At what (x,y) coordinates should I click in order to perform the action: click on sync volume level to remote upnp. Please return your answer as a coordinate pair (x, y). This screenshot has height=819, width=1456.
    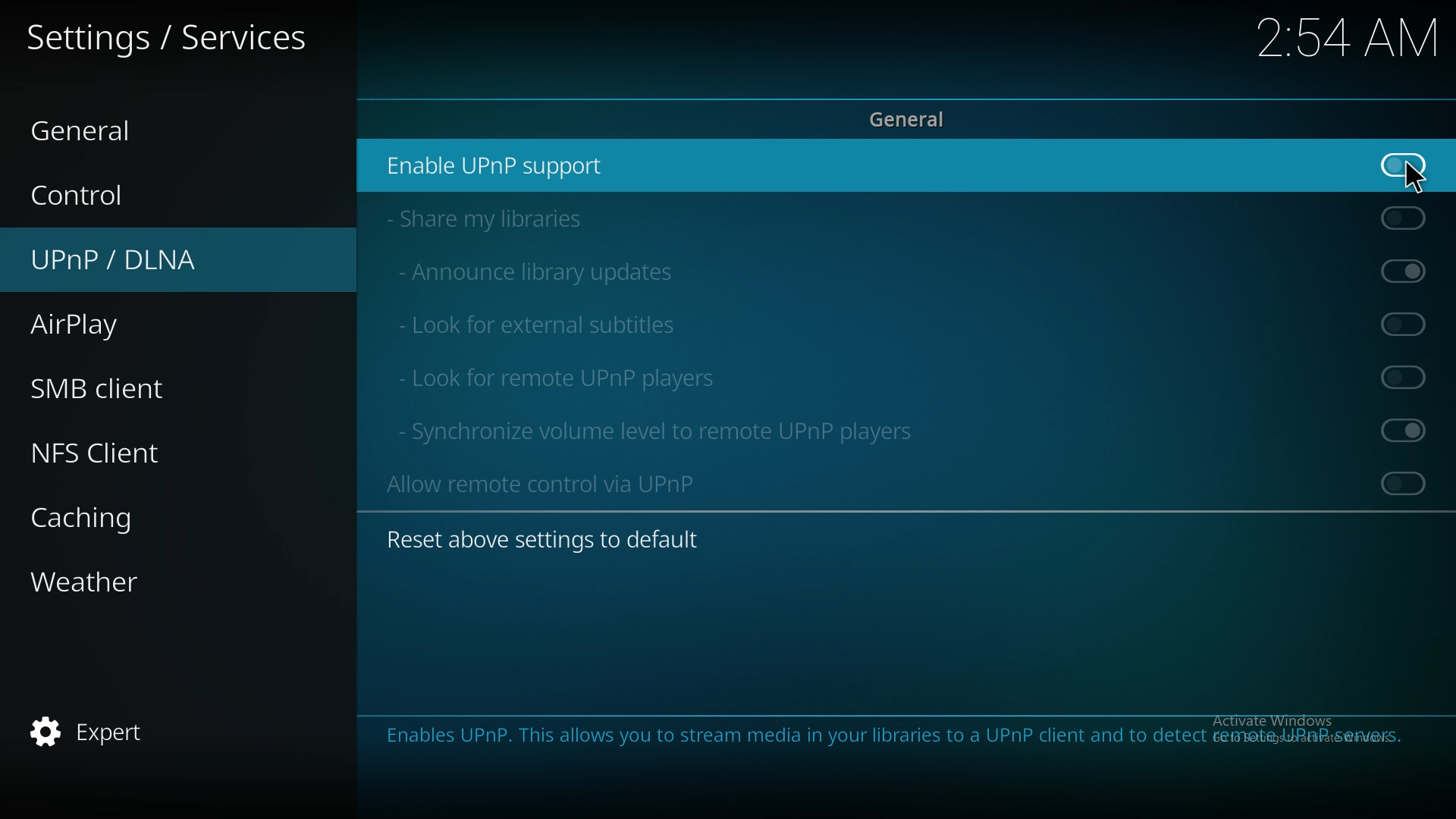
    Looking at the image, I should click on (674, 430).